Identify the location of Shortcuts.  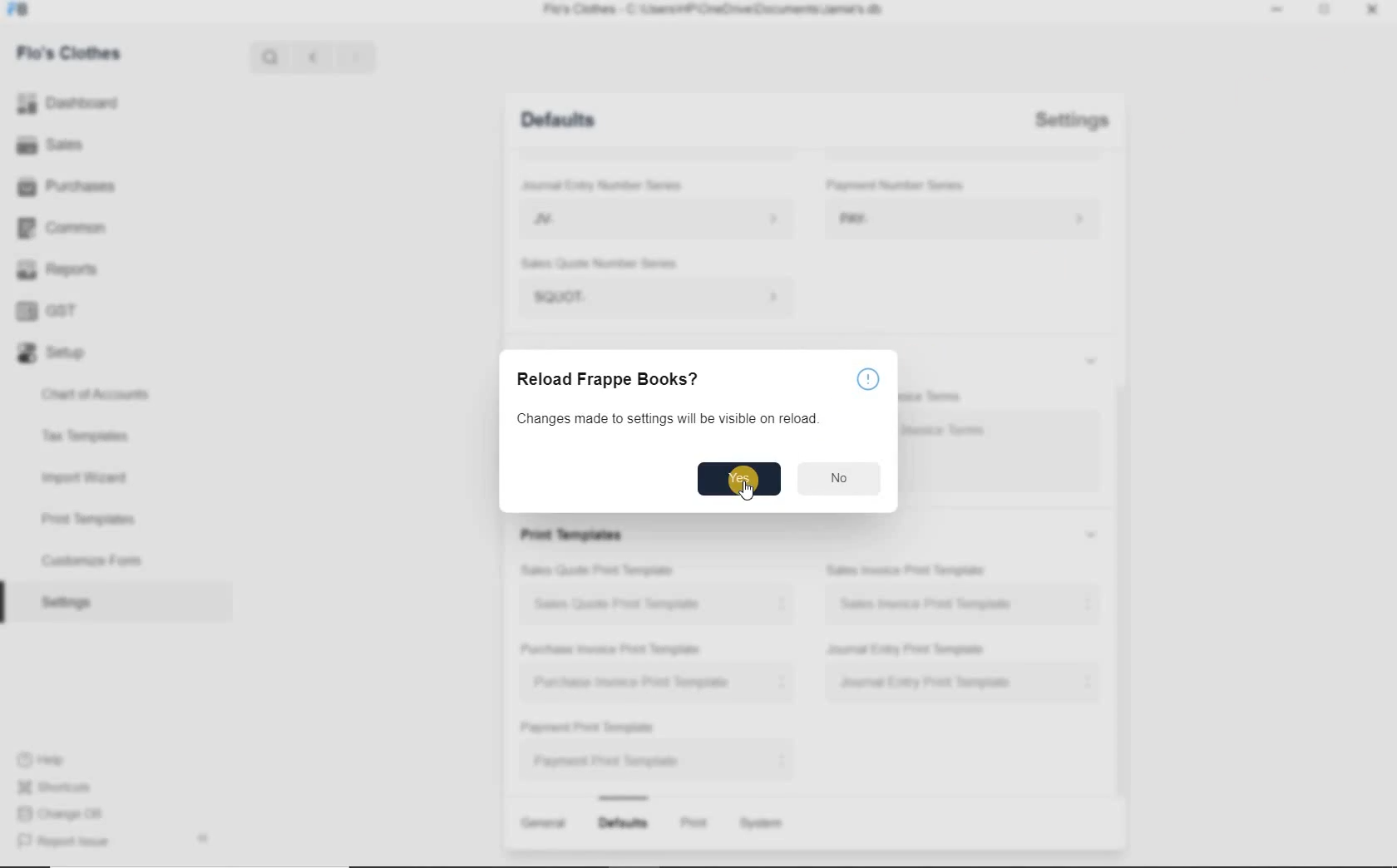
(55, 788).